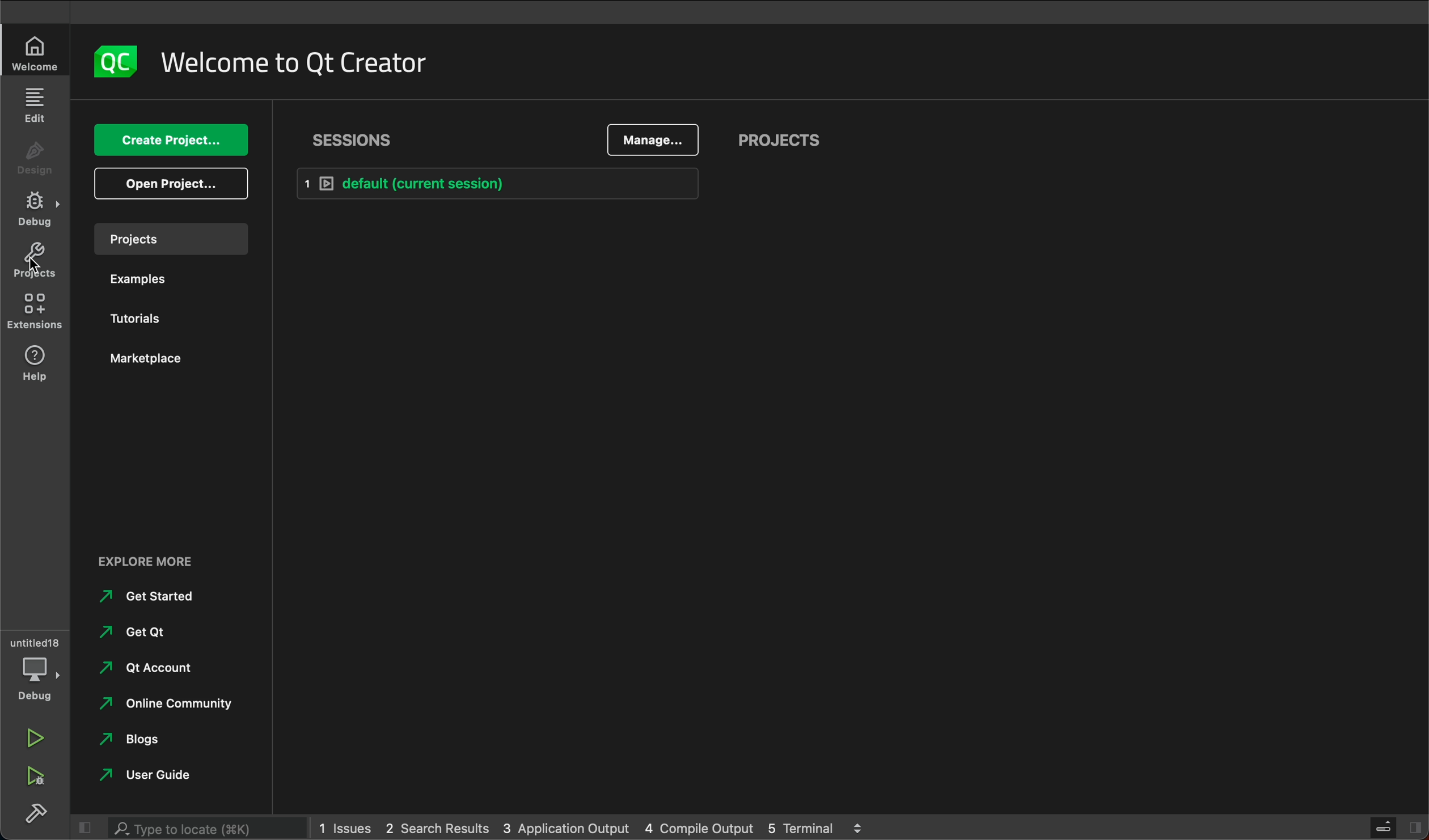 The image size is (1429, 840). Describe the element at coordinates (205, 826) in the screenshot. I see `search bar` at that location.